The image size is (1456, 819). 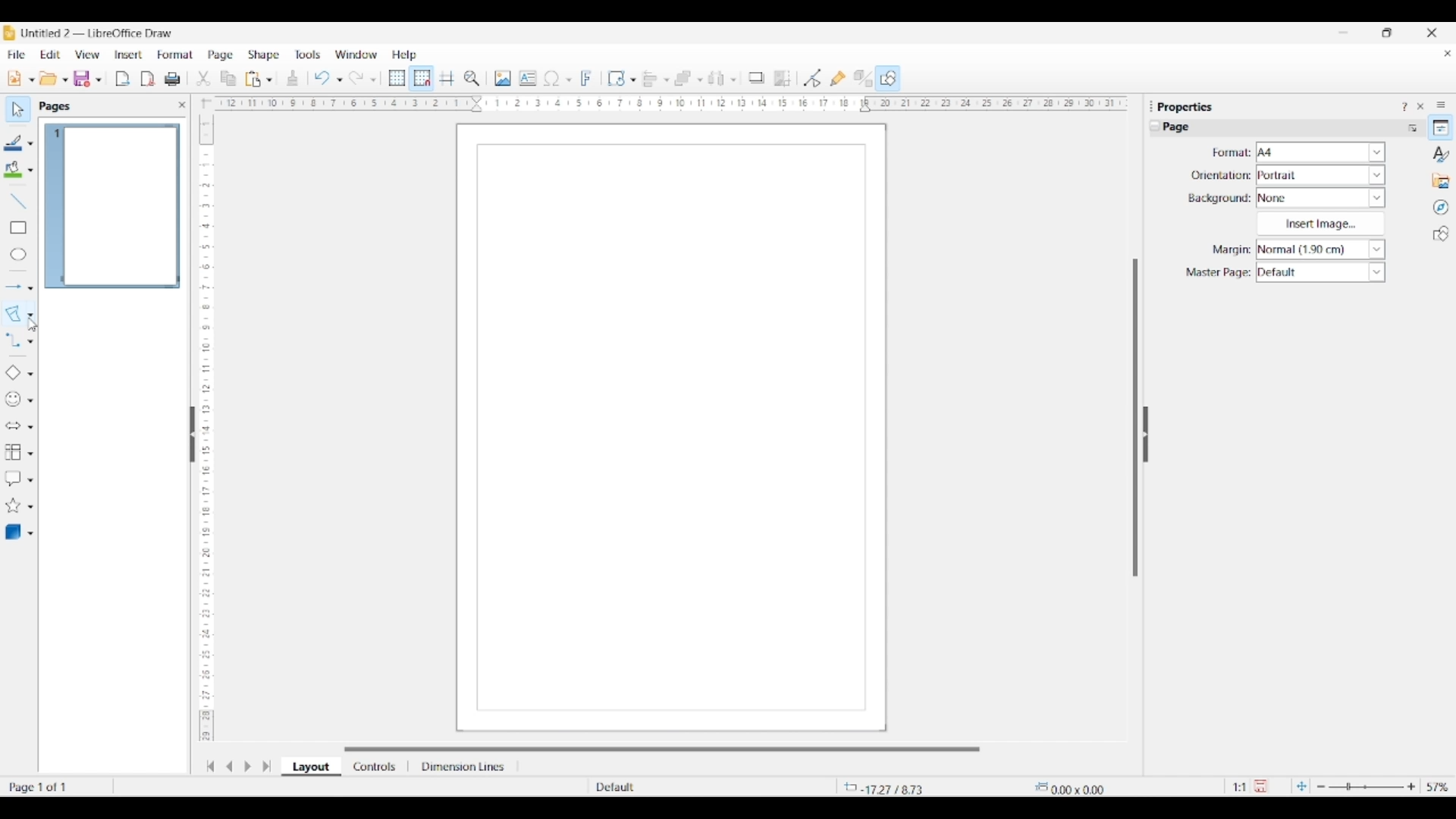 I want to click on Selected block arrow, so click(x=10, y=425).